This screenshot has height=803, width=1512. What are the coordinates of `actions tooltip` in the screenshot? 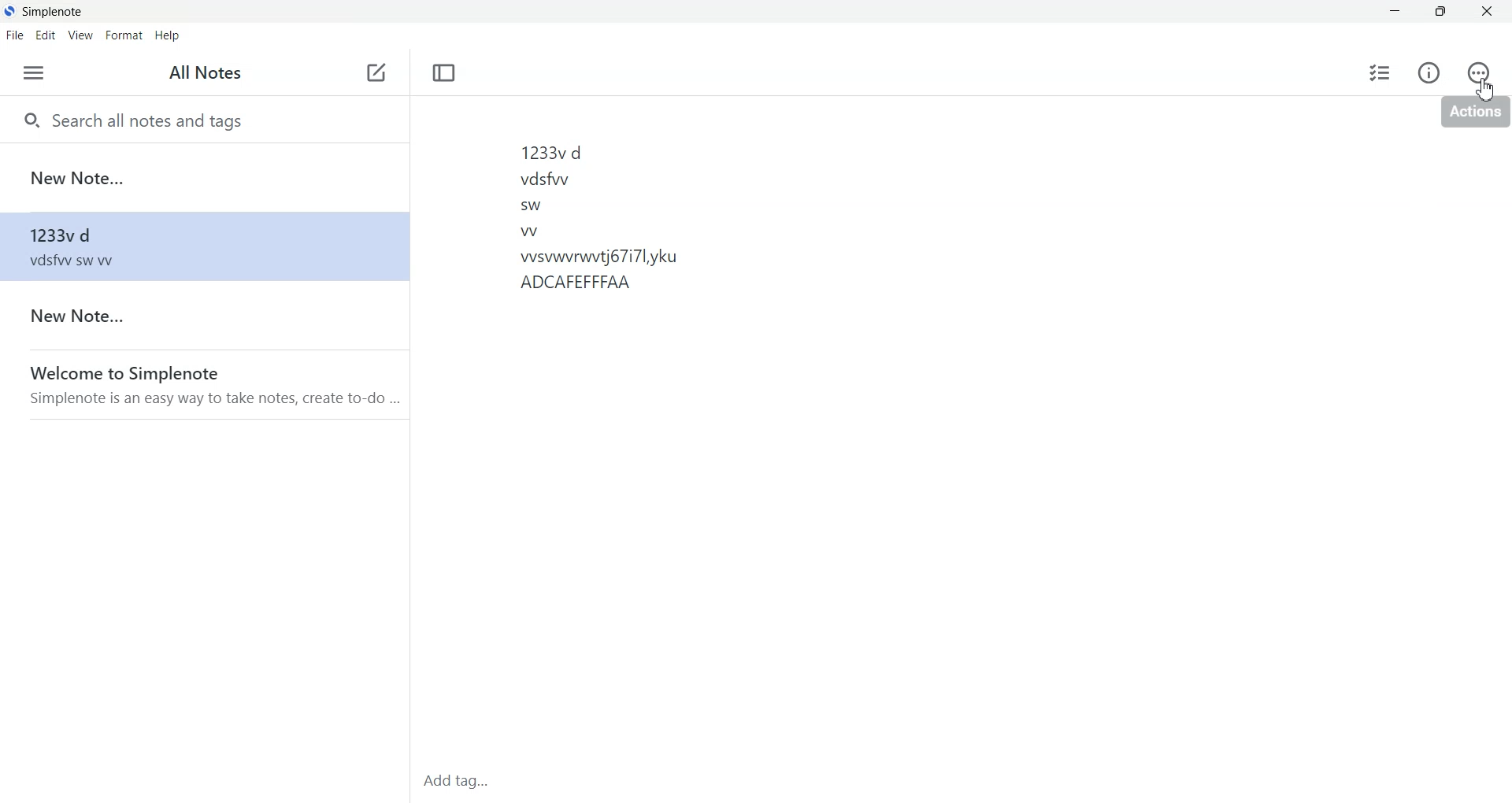 It's located at (1477, 117).